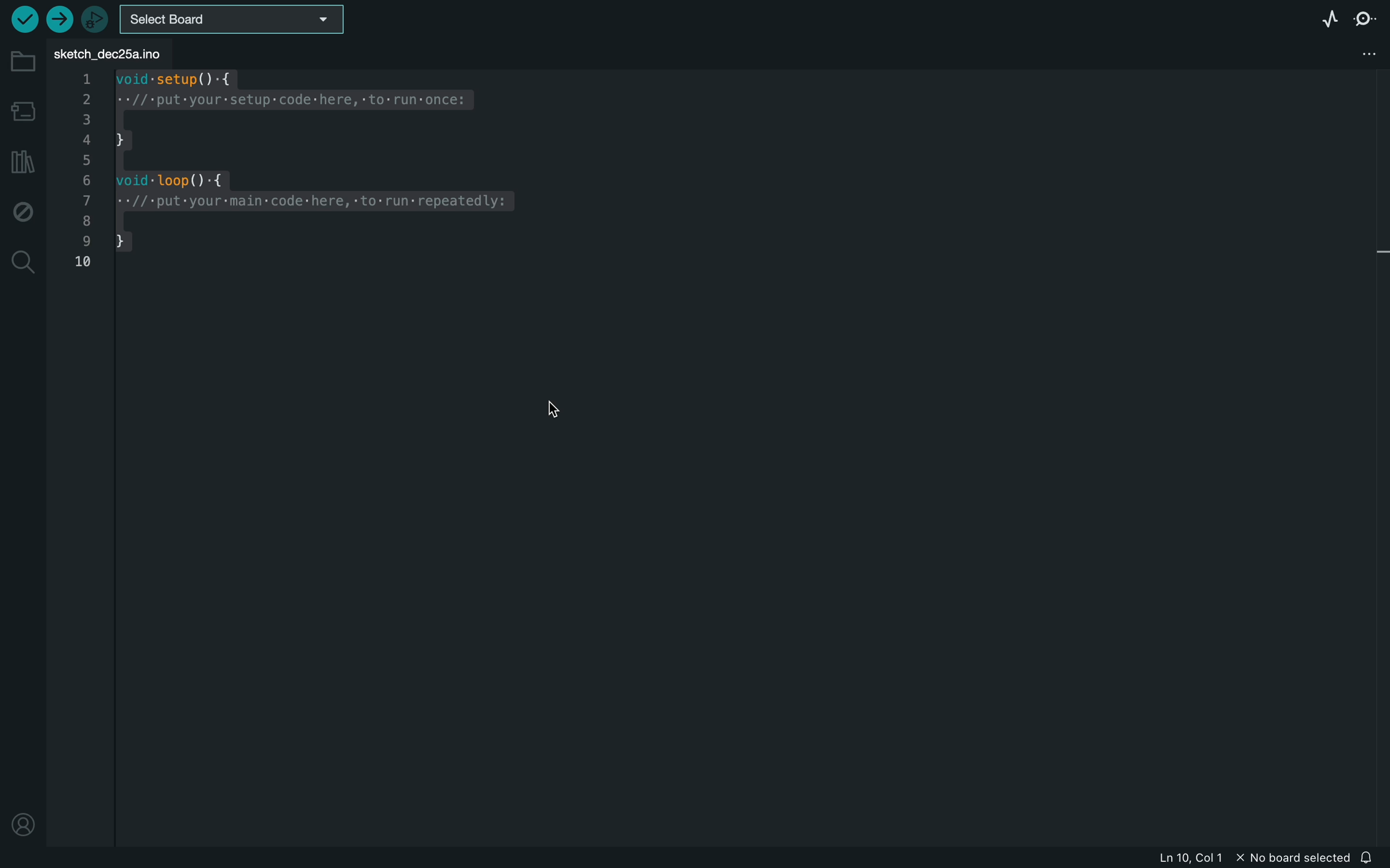  I want to click on debugger, so click(95, 19).